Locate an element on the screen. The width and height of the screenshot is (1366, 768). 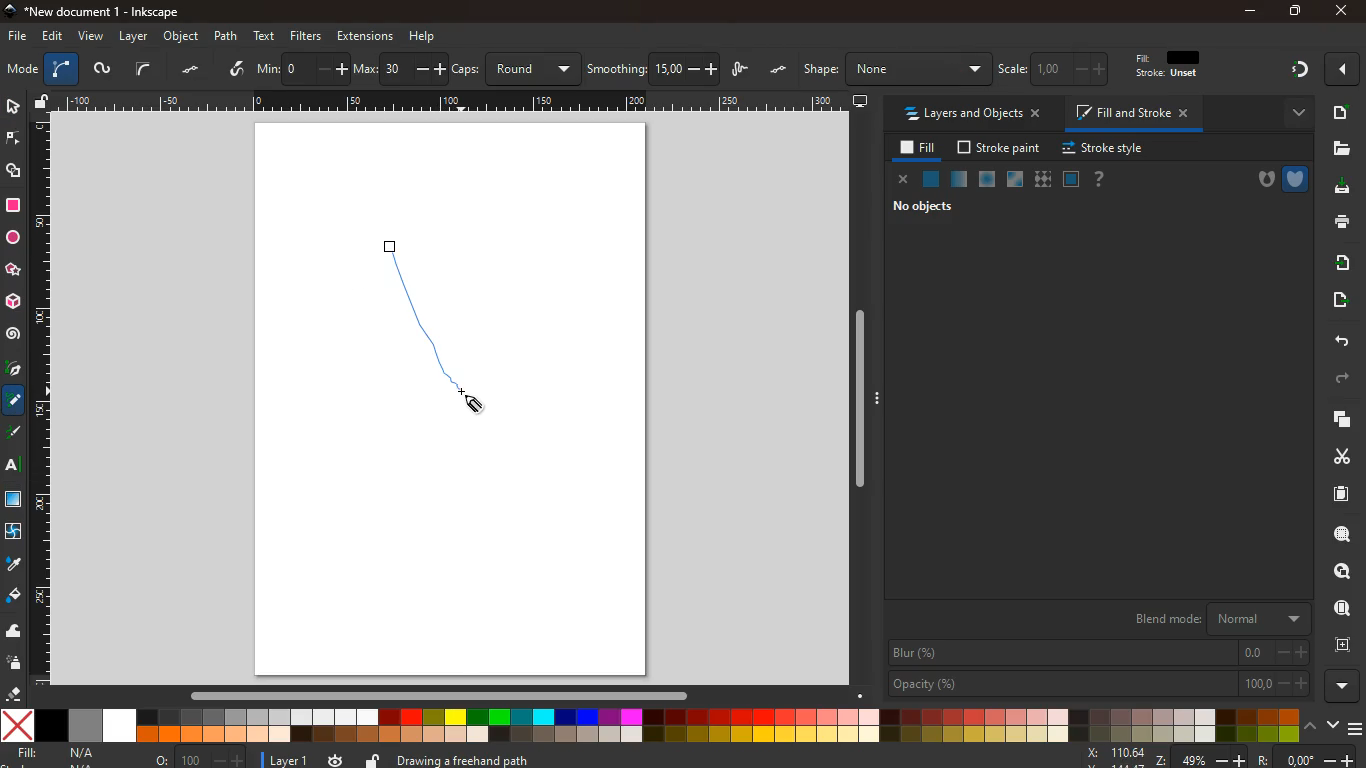
color is located at coordinates (651, 727).